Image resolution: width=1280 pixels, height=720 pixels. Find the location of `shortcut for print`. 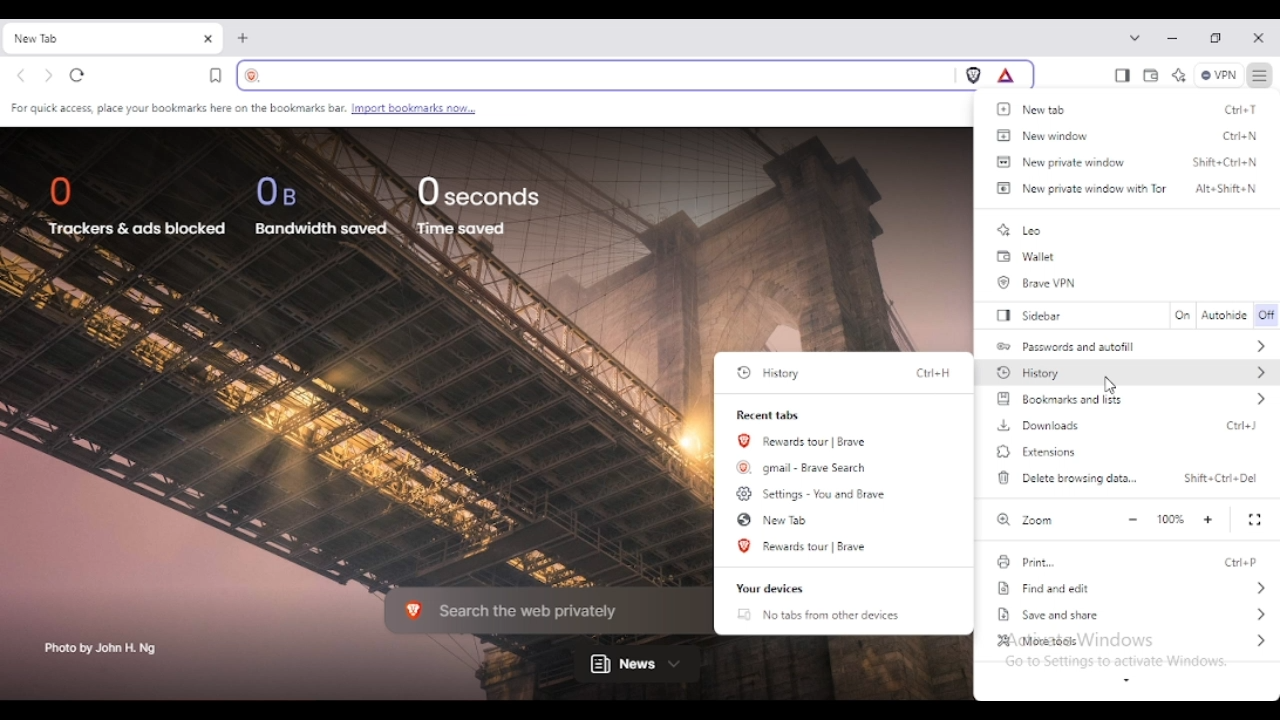

shortcut for print is located at coordinates (1242, 562).